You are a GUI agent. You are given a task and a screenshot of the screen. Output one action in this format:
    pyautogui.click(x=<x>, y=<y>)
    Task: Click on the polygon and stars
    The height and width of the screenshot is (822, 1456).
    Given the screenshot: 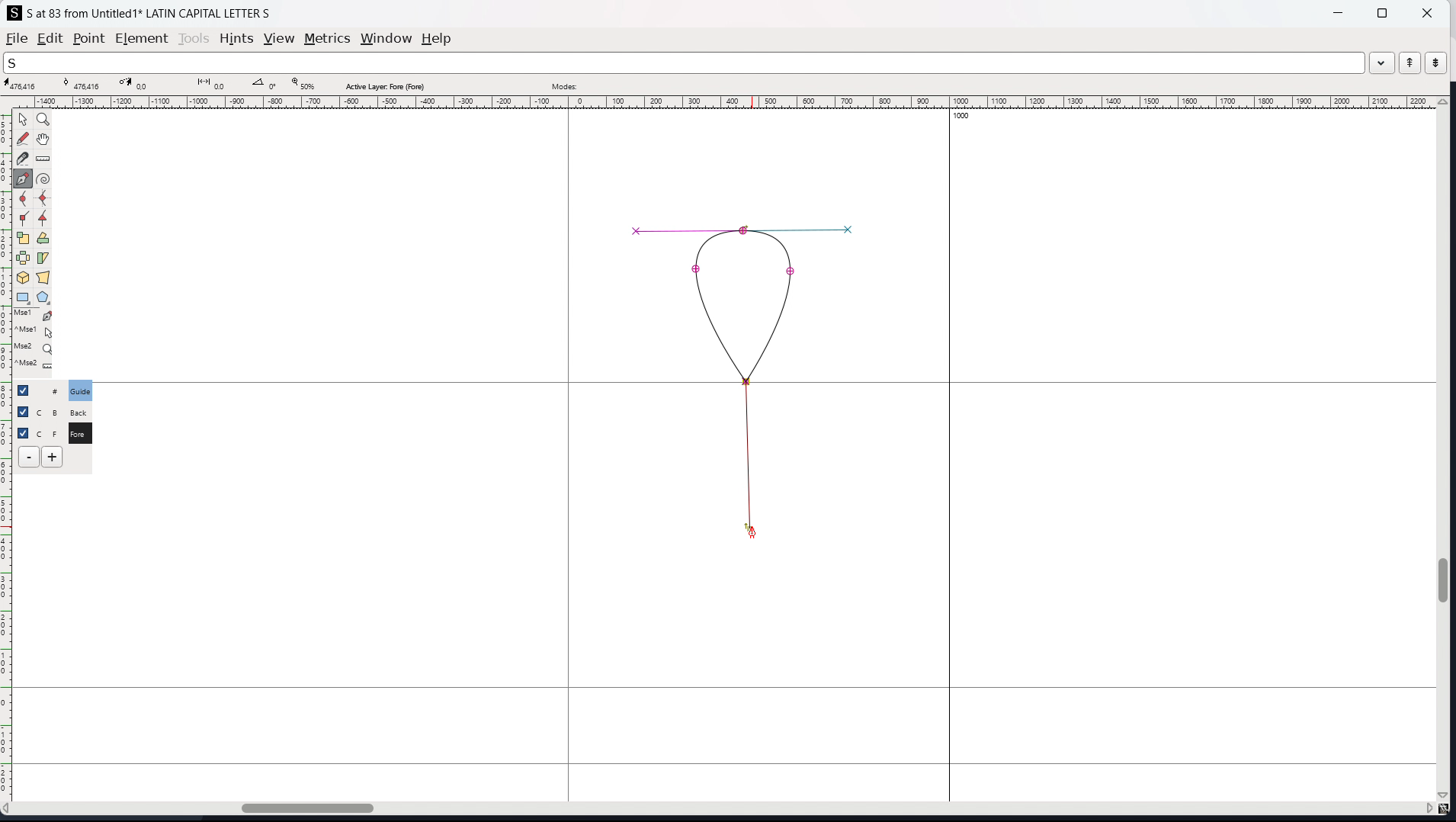 What is the action you would take?
    pyautogui.click(x=44, y=298)
    